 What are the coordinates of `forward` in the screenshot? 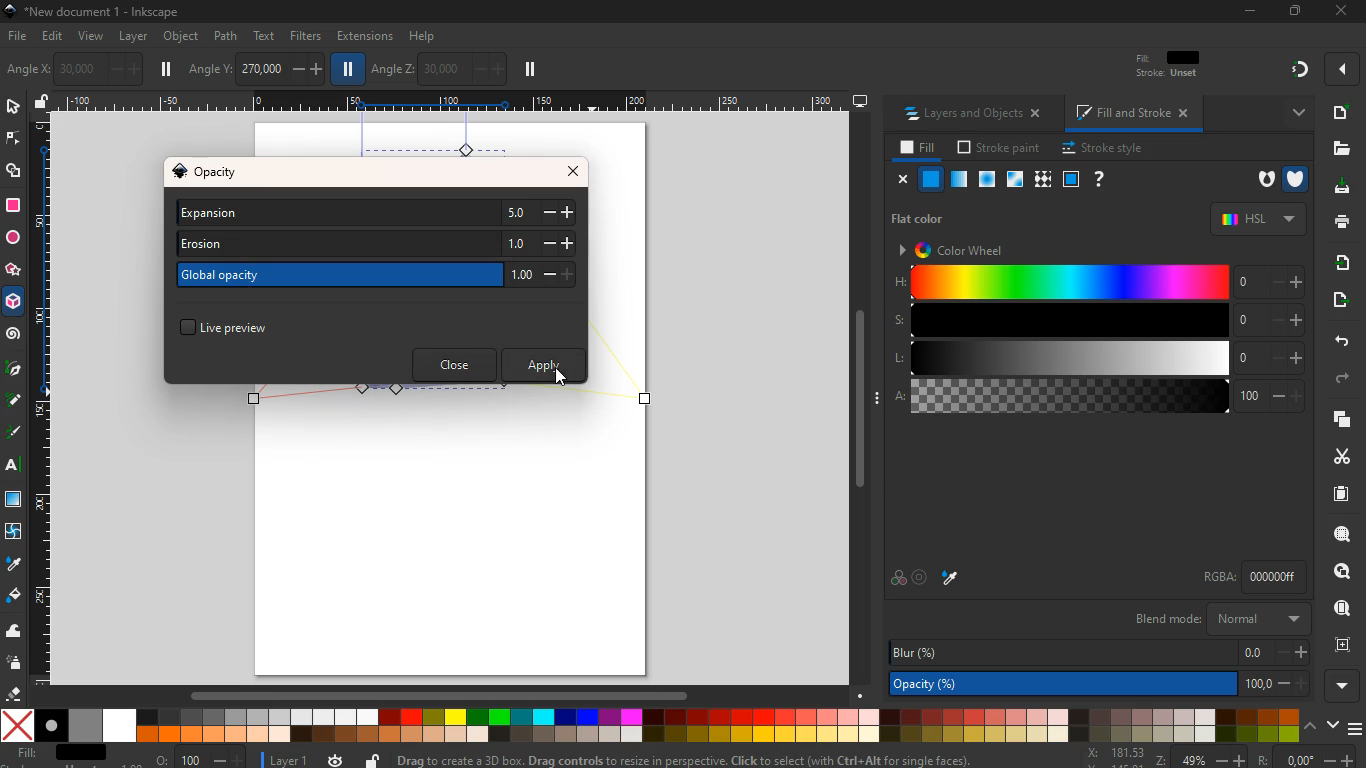 It's located at (1348, 379).